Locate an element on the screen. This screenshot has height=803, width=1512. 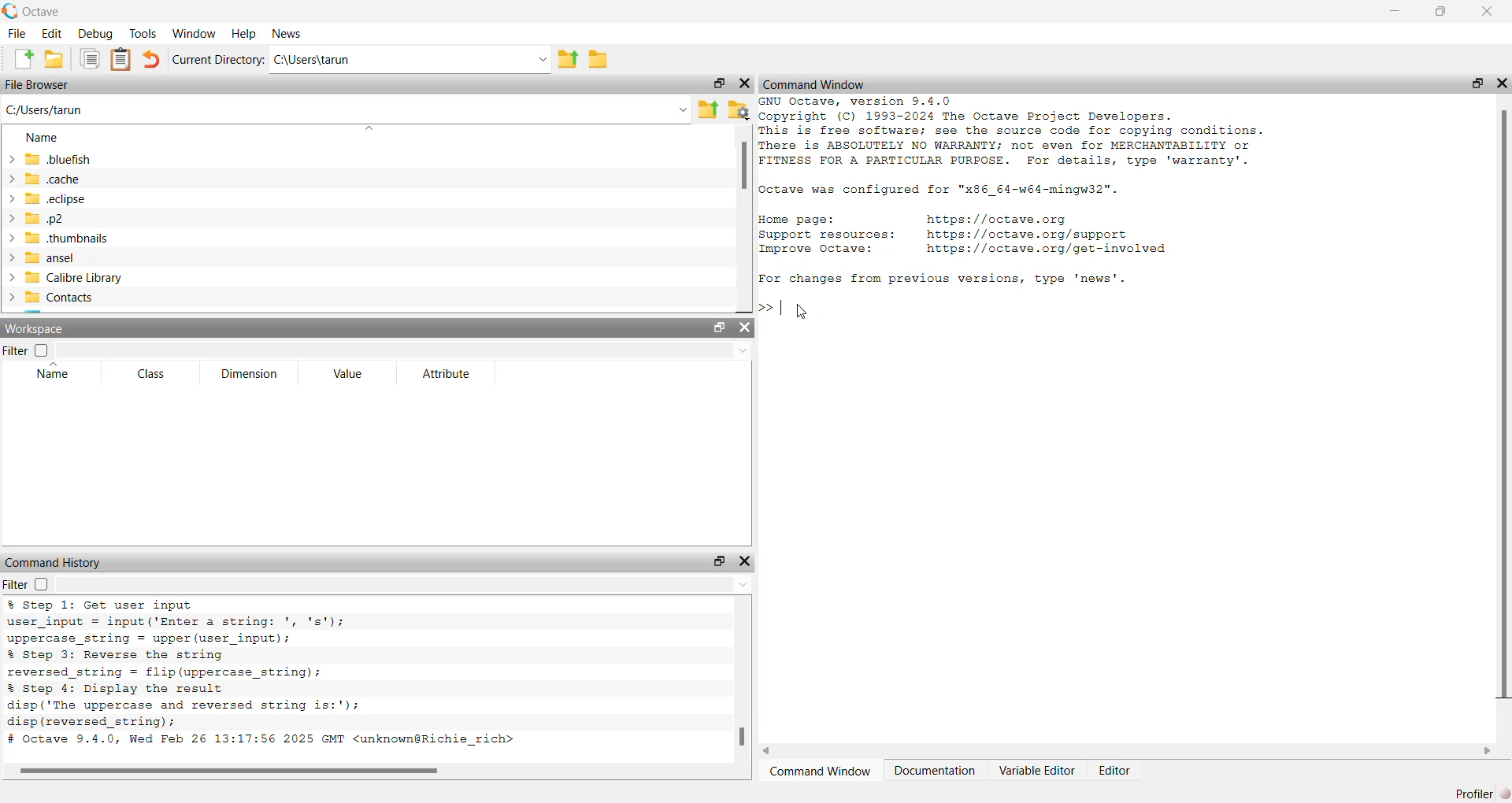
open an existing file in editor is located at coordinates (55, 61).